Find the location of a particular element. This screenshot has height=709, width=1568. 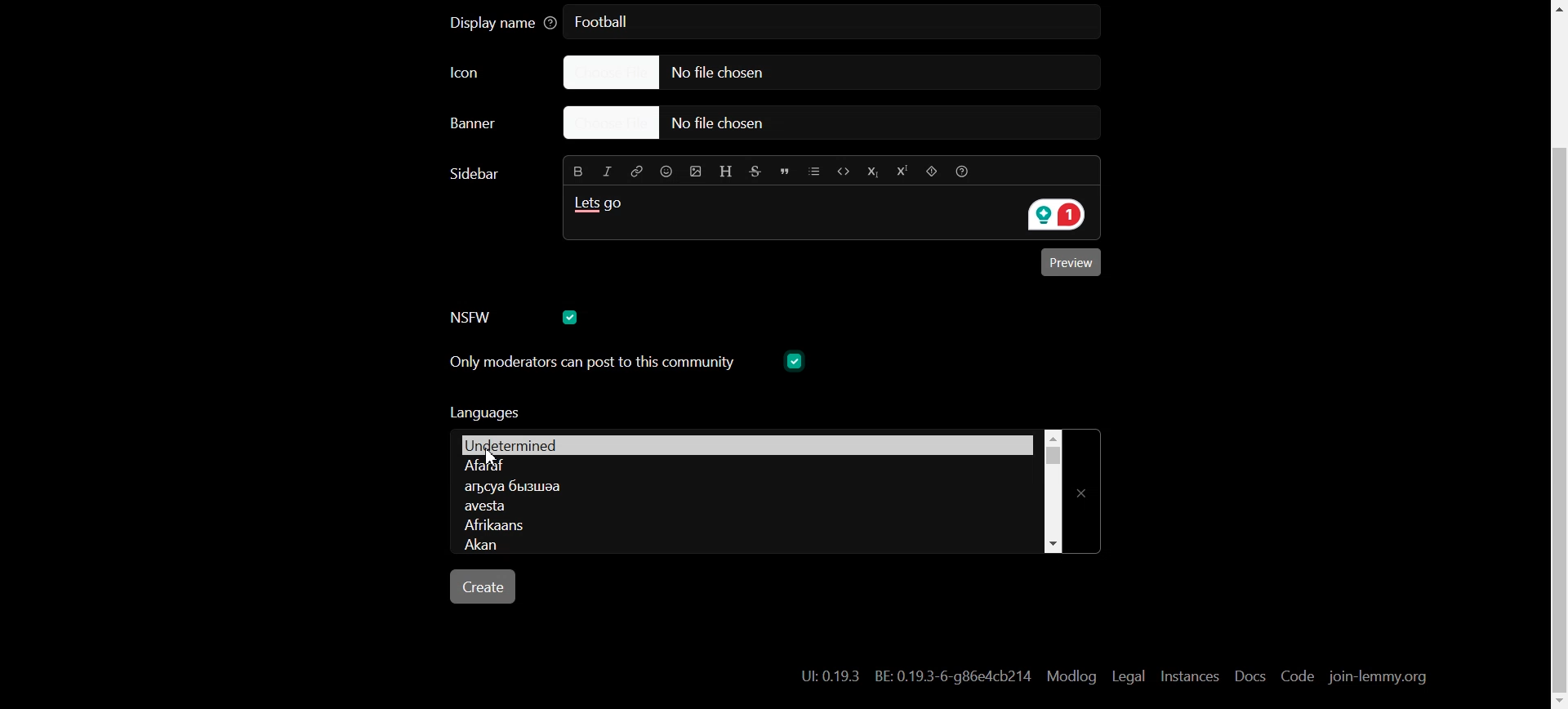

Emoji is located at coordinates (665, 172).